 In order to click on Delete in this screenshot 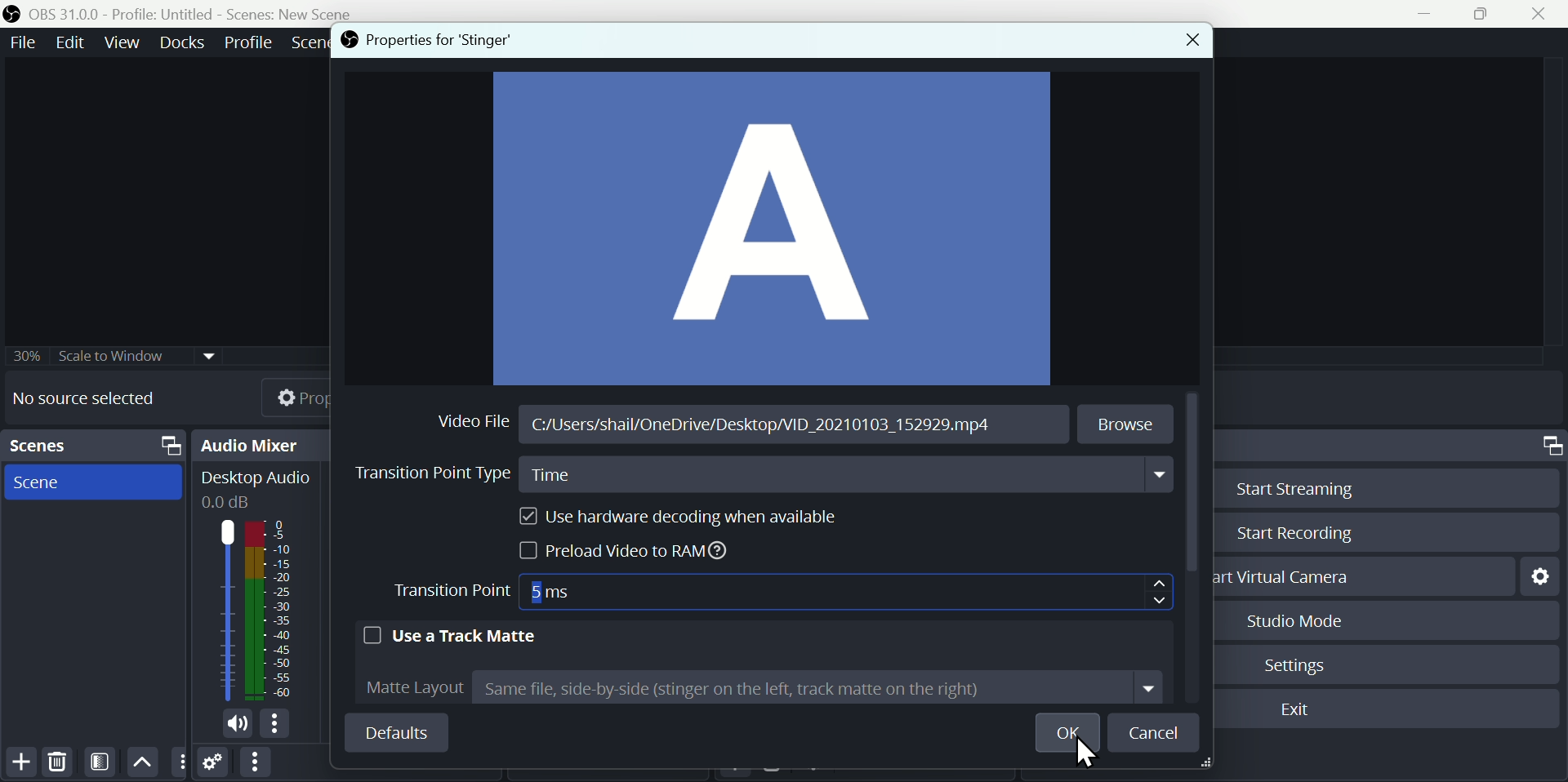, I will do `click(56, 761)`.